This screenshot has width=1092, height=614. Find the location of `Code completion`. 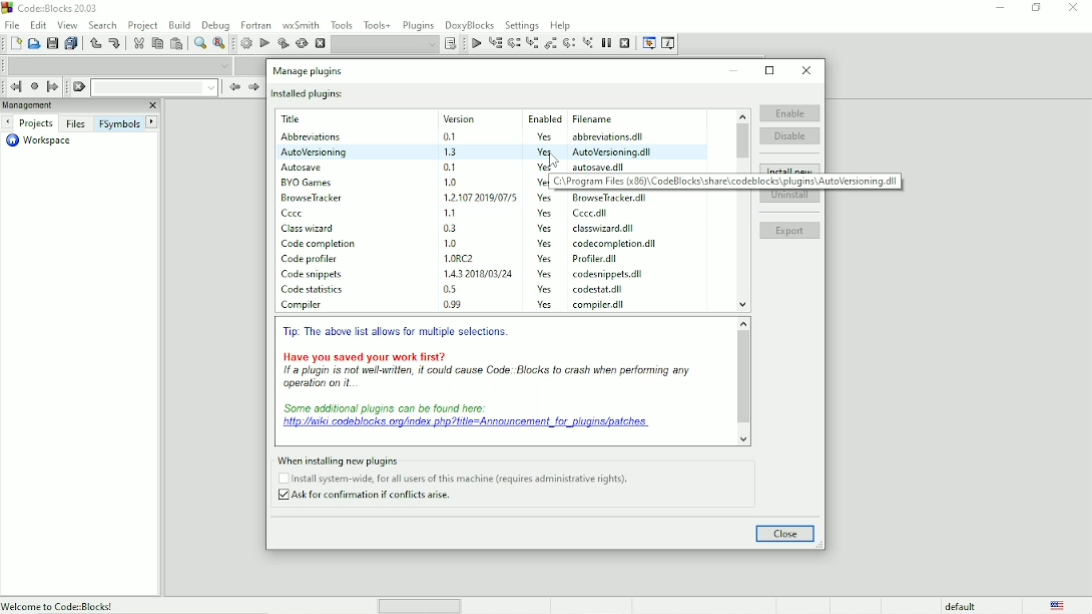

Code completion is located at coordinates (320, 244).